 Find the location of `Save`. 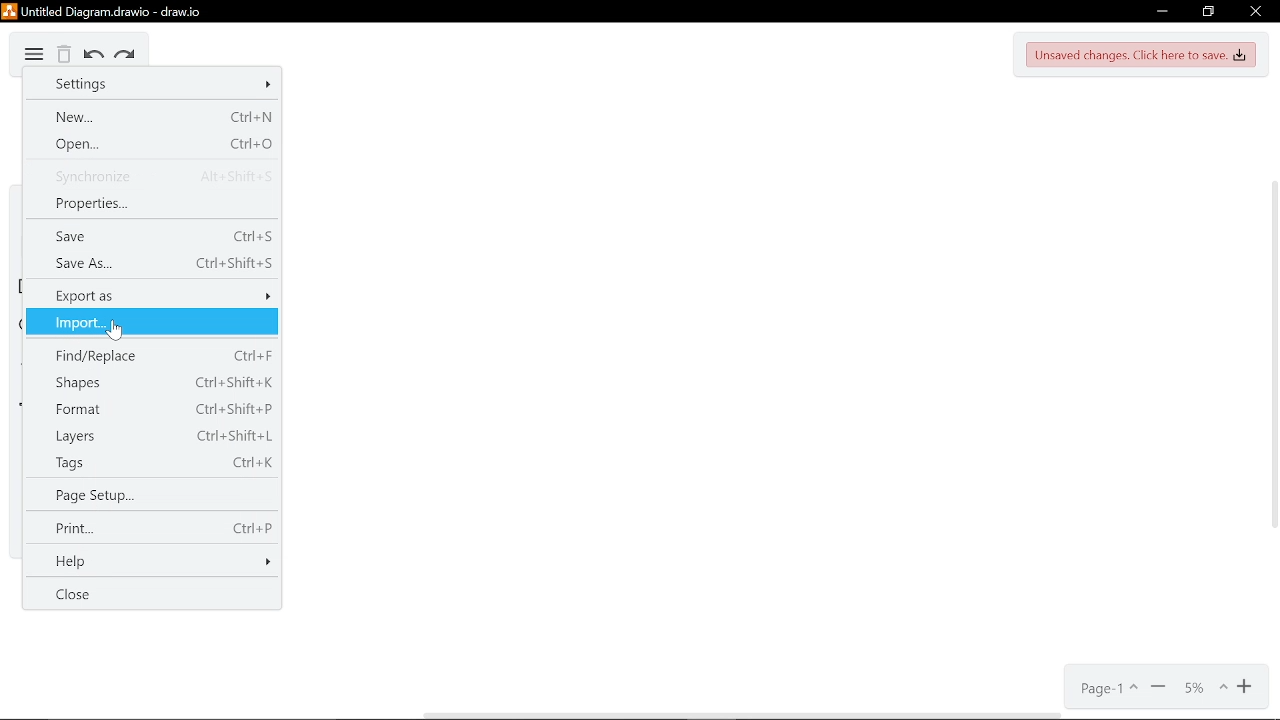

Save is located at coordinates (149, 235).